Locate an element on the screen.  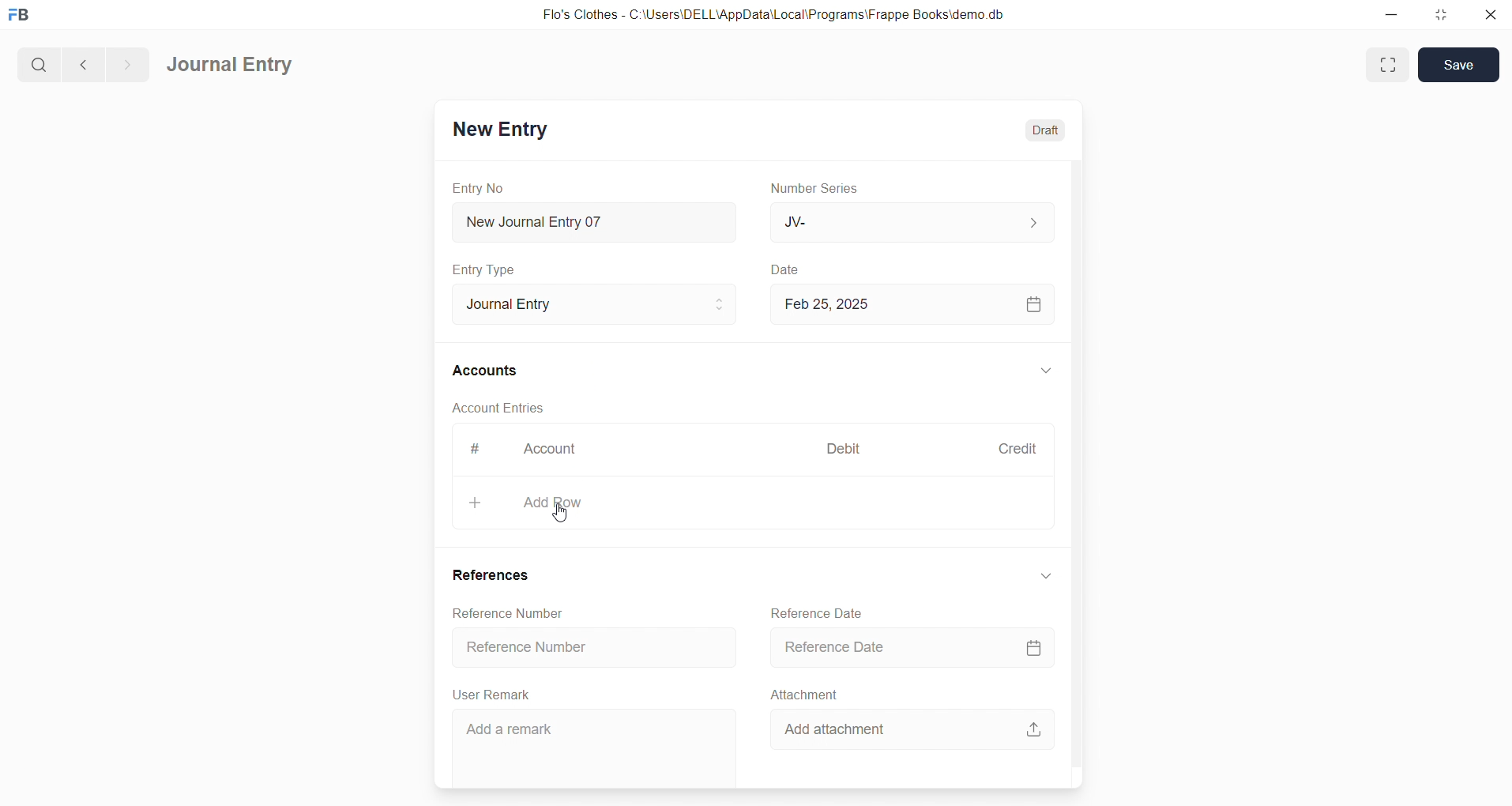
cursor is located at coordinates (564, 518).